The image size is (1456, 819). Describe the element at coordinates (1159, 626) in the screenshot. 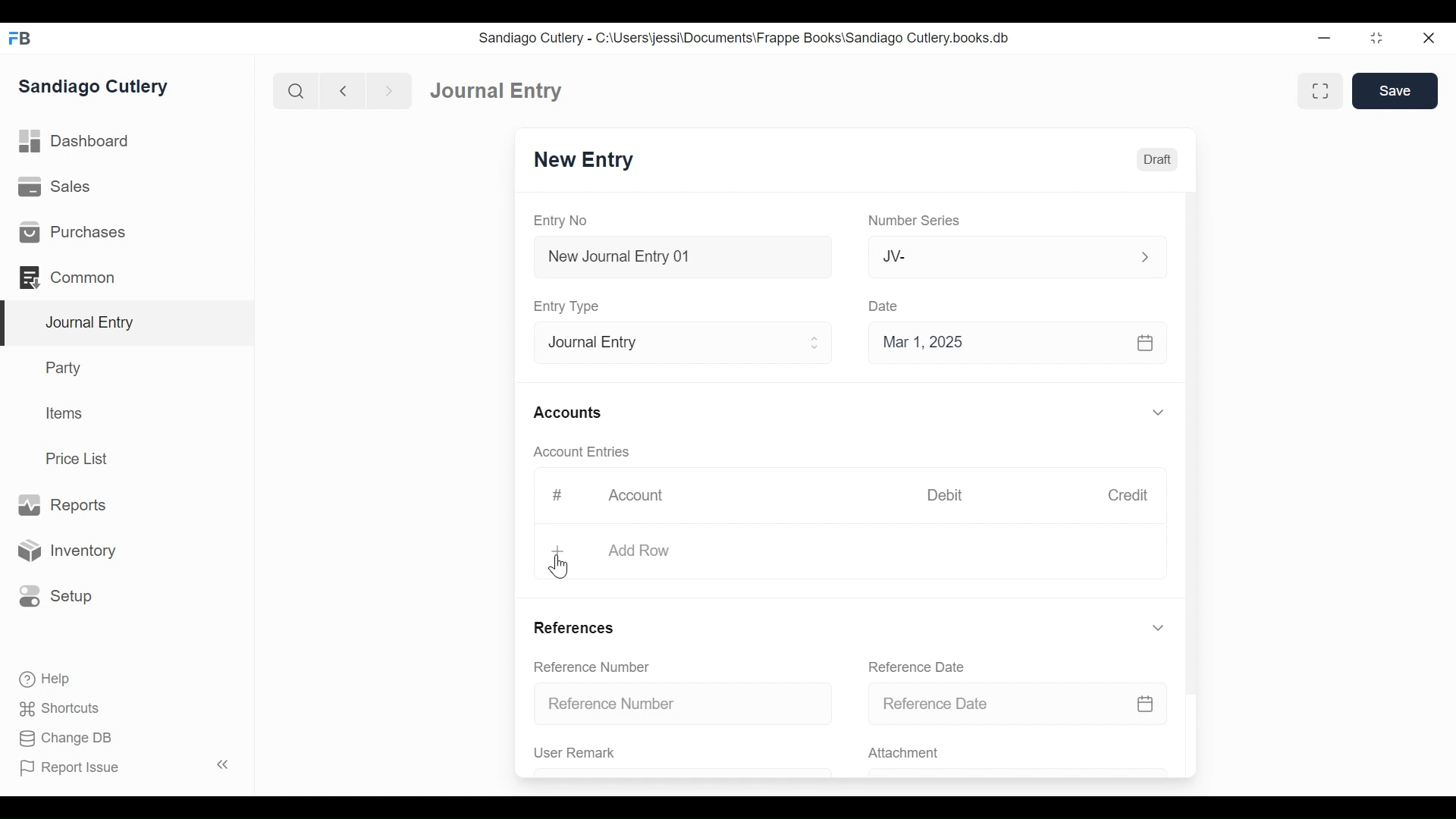

I see `expand/collapse` at that location.